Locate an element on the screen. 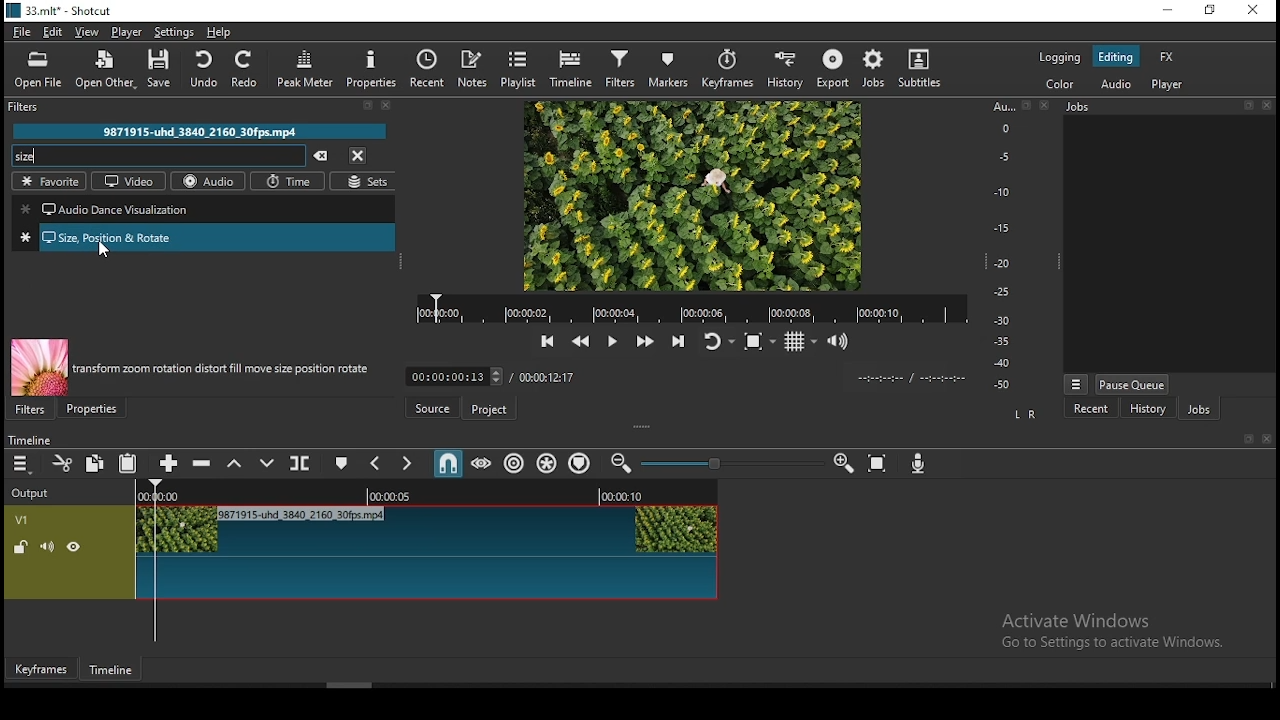 The width and height of the screenshot is (1280, 720). transform zoom rotation distort fill move size position rotate is located at coordinates (224, 369).